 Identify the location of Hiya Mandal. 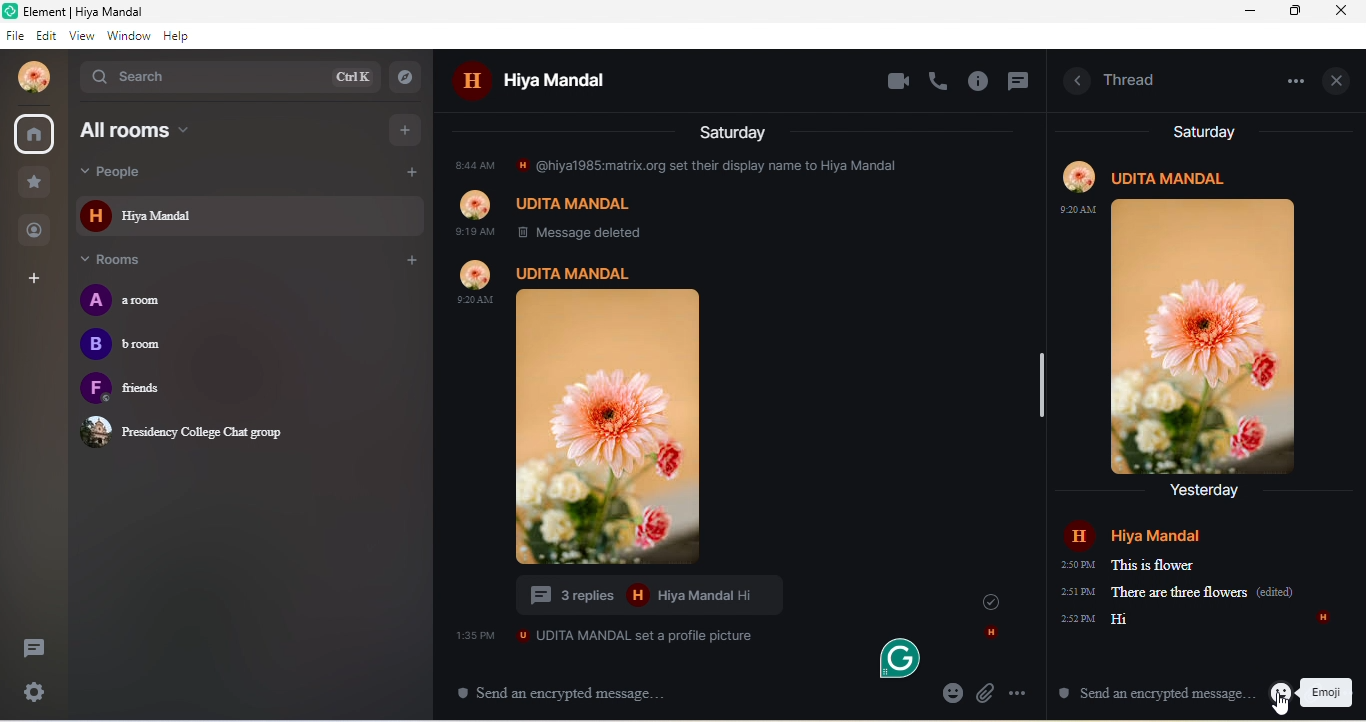
(1143, 533).